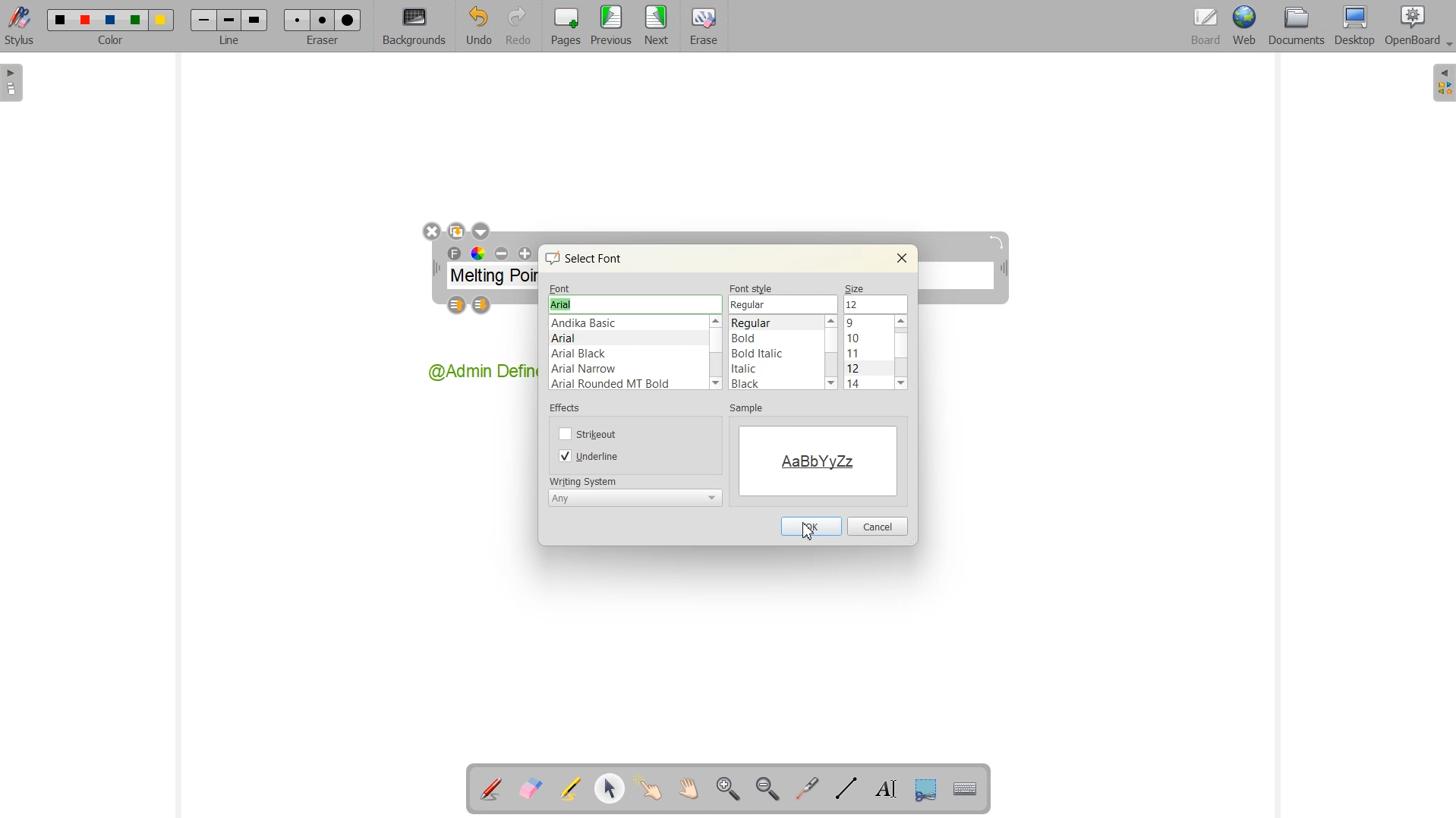  What do you see at coordinates (869, 353) in the screenshot?
I see `Font Size` at bounding box center [869, 353].